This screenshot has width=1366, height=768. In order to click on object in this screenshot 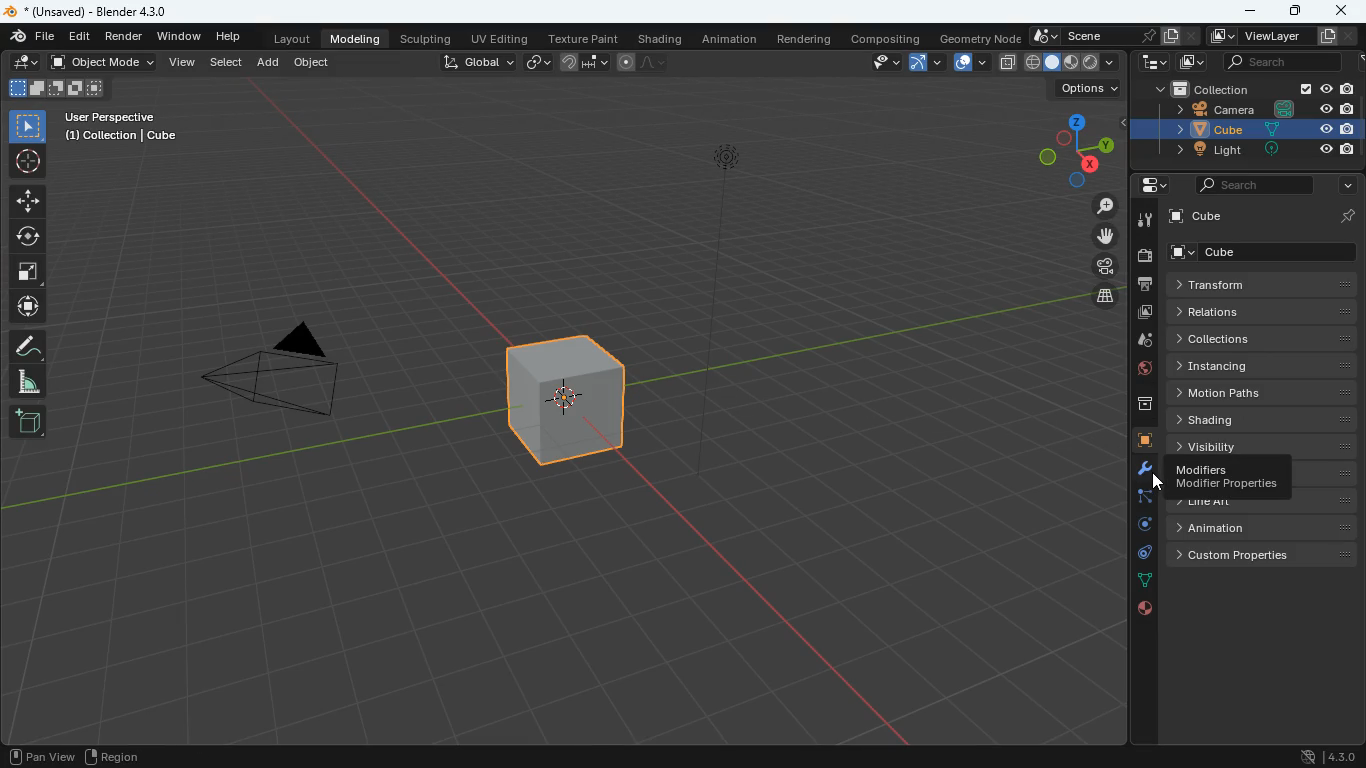, I will do `click(311, 63)`.